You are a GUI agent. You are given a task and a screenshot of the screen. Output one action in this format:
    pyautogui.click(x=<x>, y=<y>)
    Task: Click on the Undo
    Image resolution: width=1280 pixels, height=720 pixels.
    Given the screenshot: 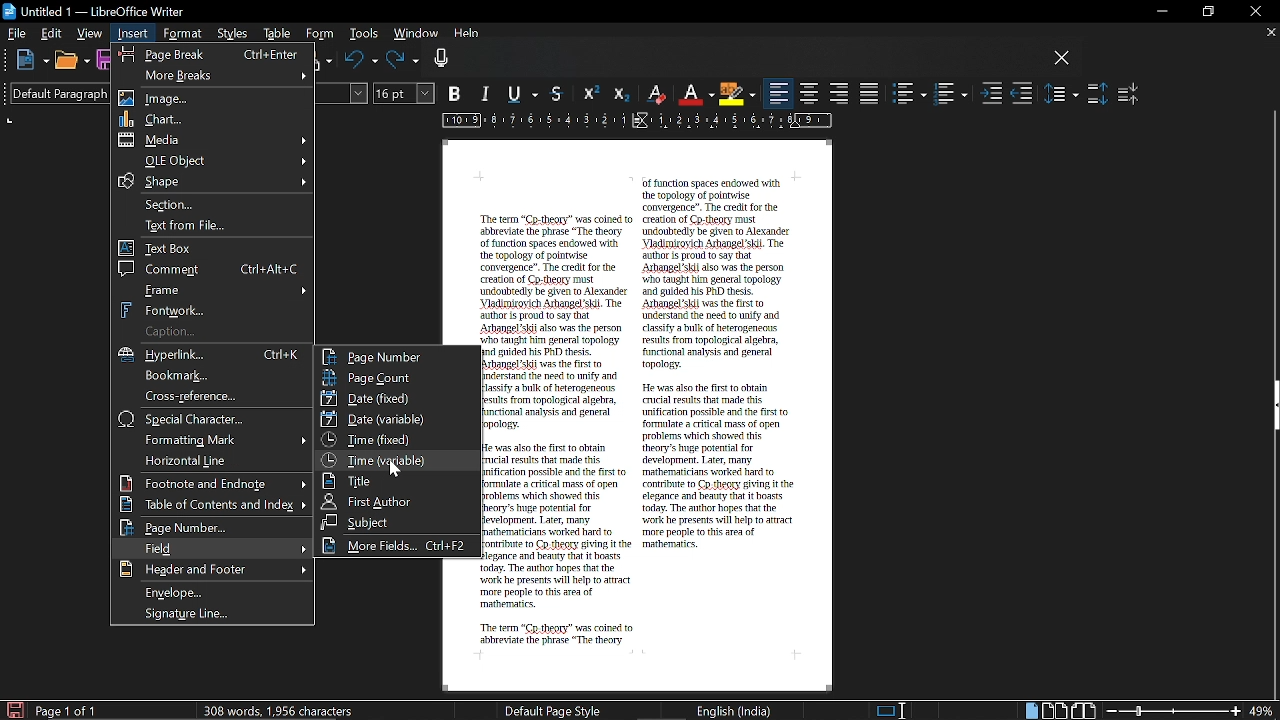 What is the action you would take?
    pyautogui.click(x=361, y=61)
    